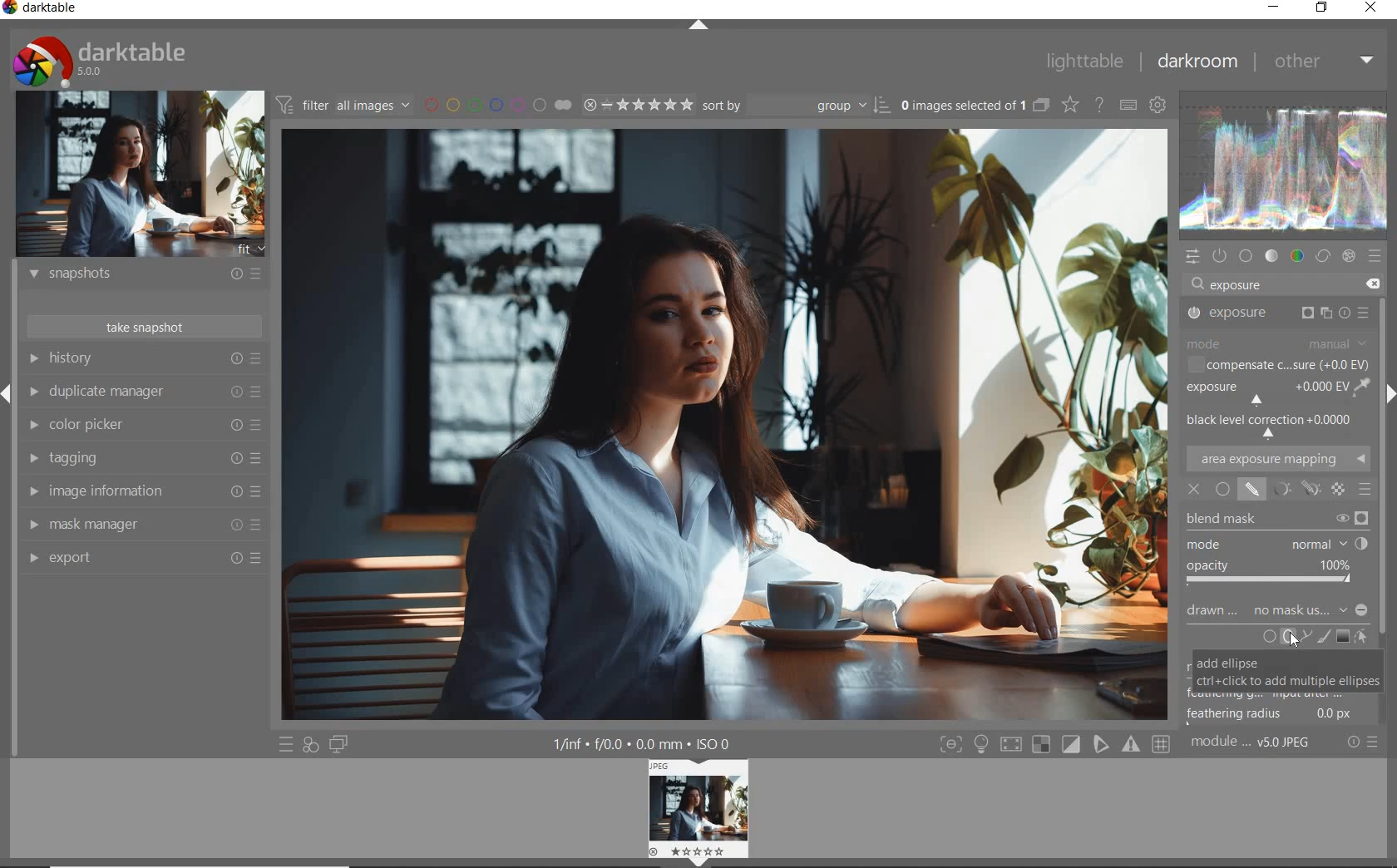 Image resolution: width=1397 pixels, height=868 pixels. I want to click on PICK GUI COLOR FROM IMAGE, so click(1364, 387).